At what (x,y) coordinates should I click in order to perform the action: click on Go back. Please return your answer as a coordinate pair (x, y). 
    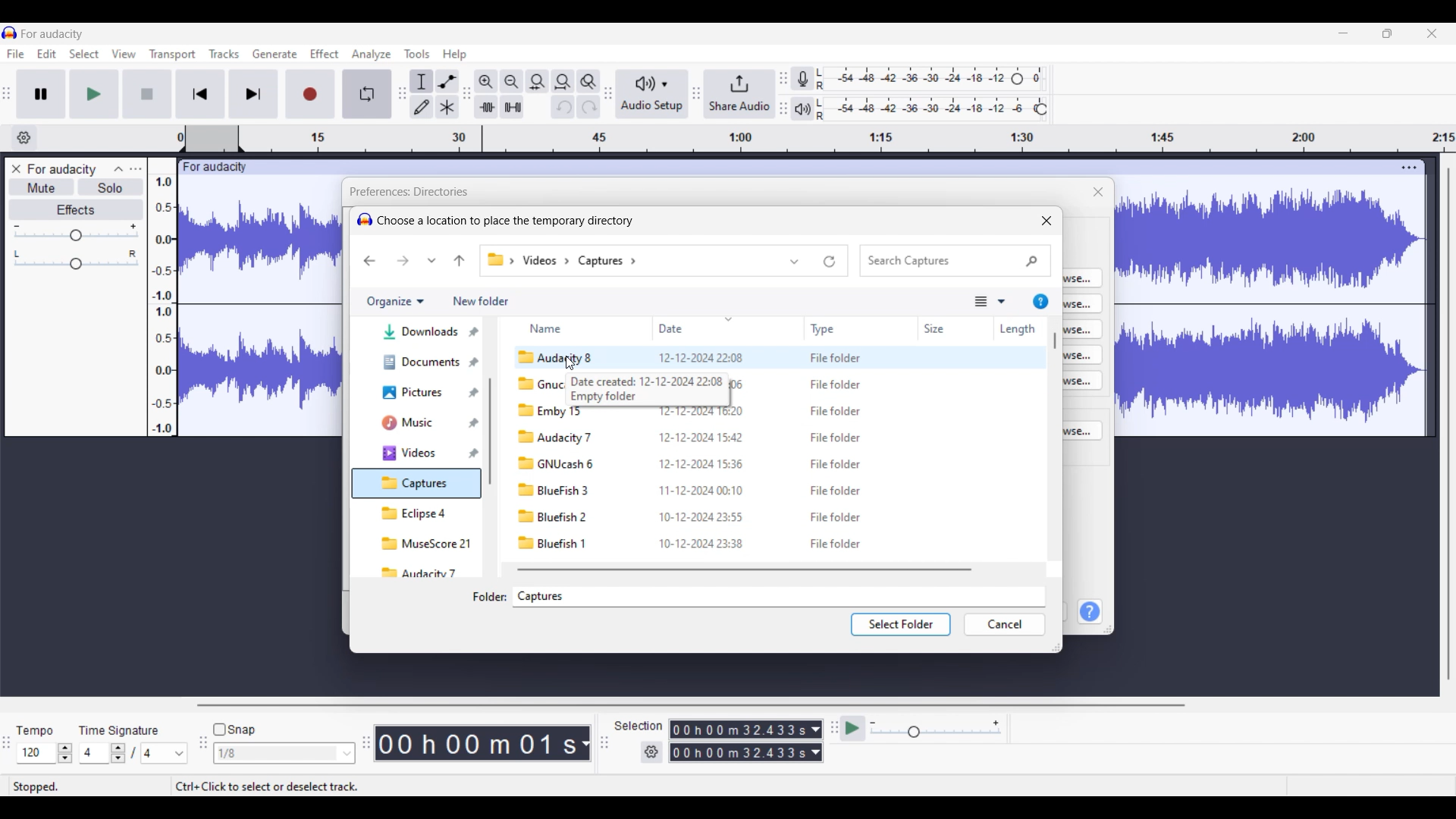
    Looking at the image, I should click on (370, 261).